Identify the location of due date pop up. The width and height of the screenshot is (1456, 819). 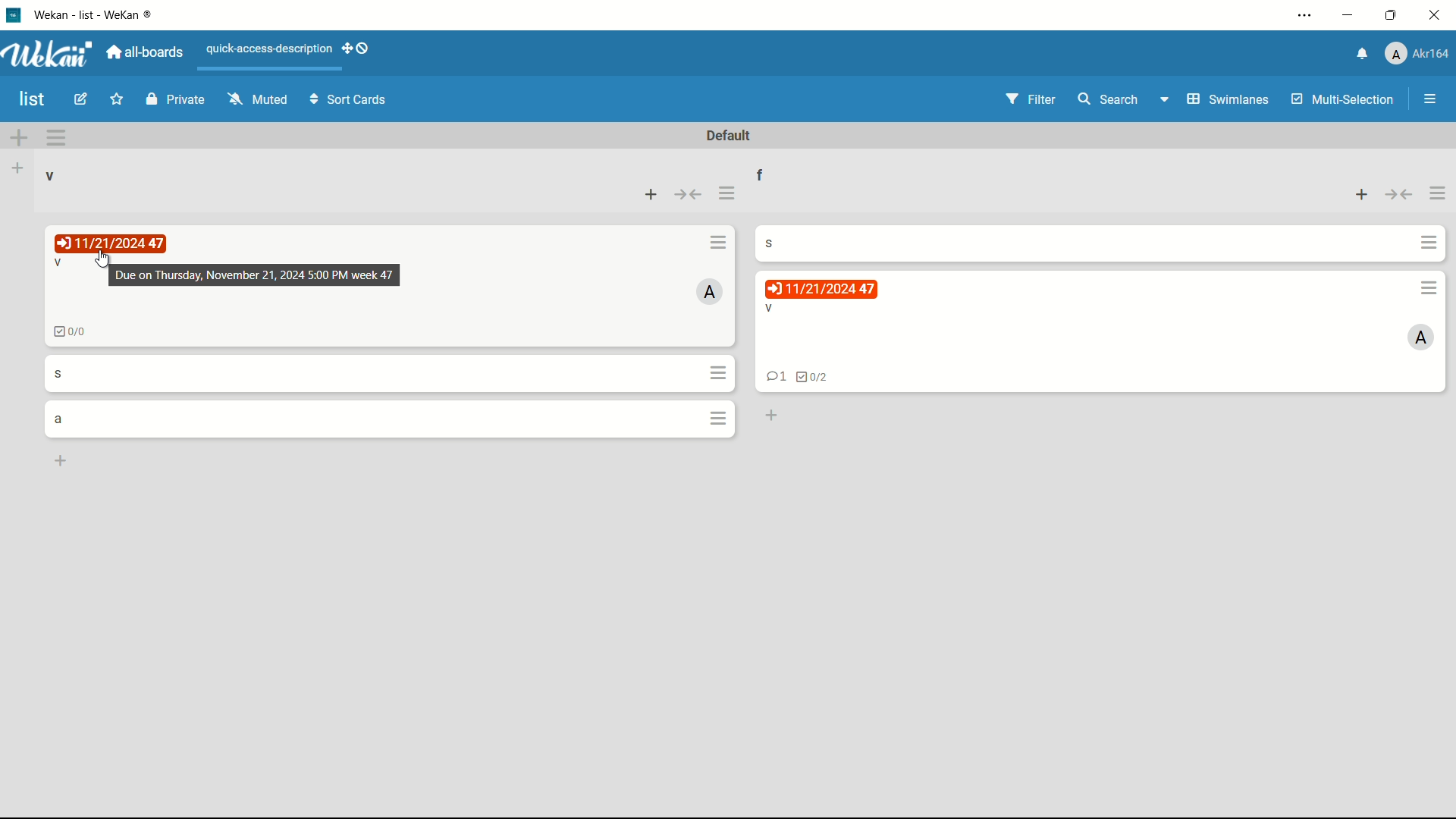
(254, 275).